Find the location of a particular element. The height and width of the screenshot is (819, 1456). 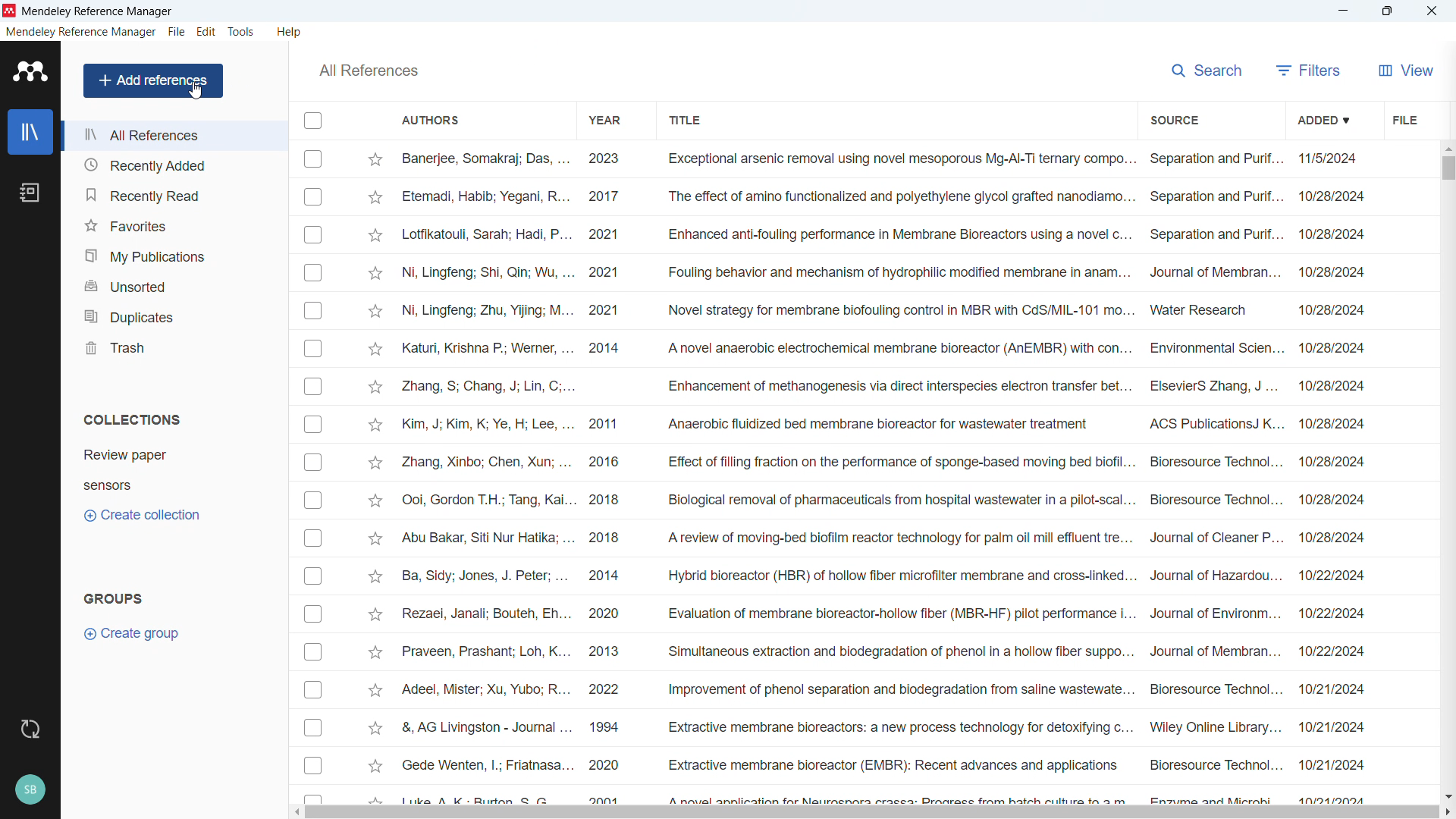

Star Mark Individual entries  is located at coordinates (375, 475).